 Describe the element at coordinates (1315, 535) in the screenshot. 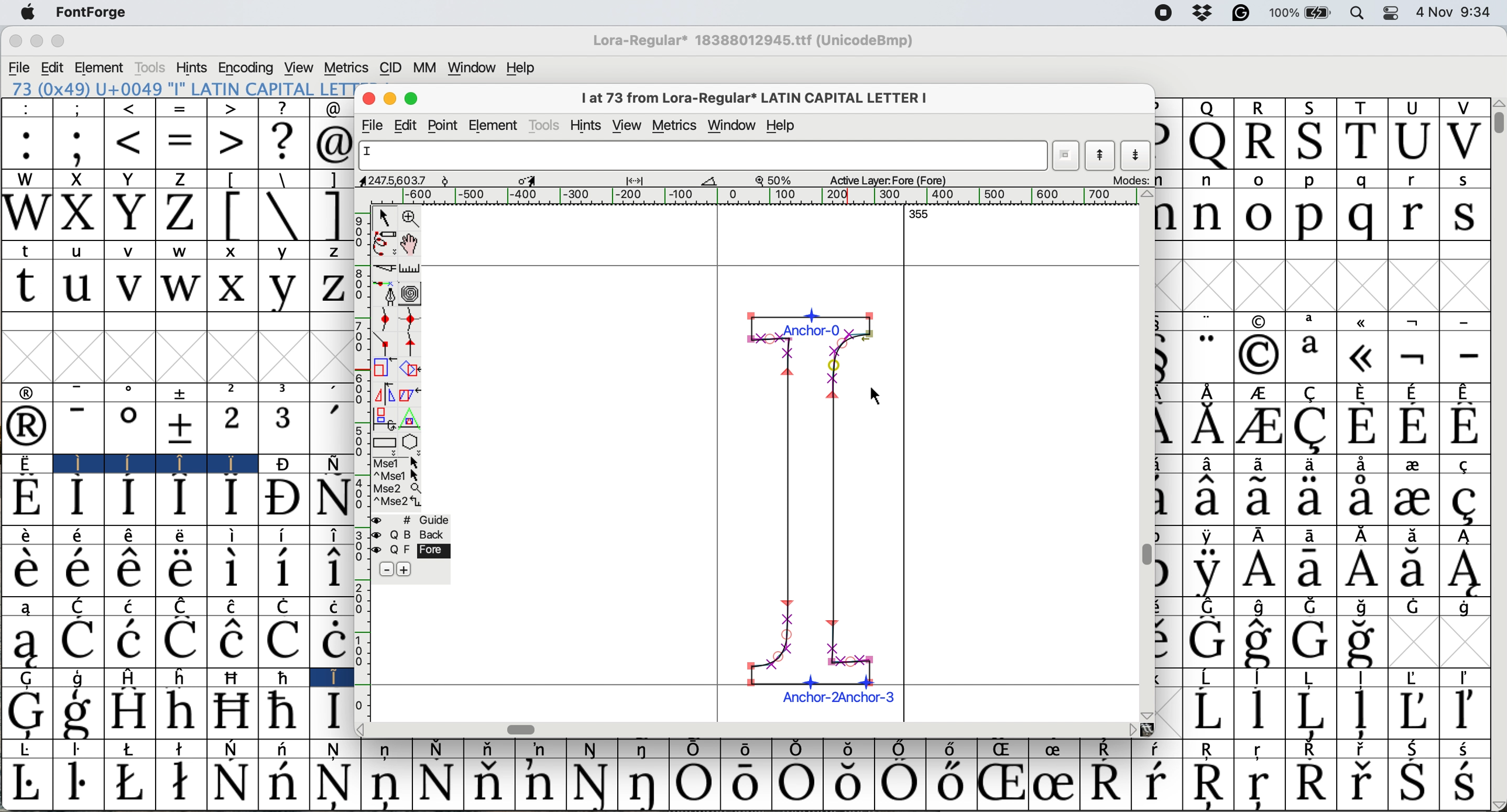

I see `Symbol` at that location.